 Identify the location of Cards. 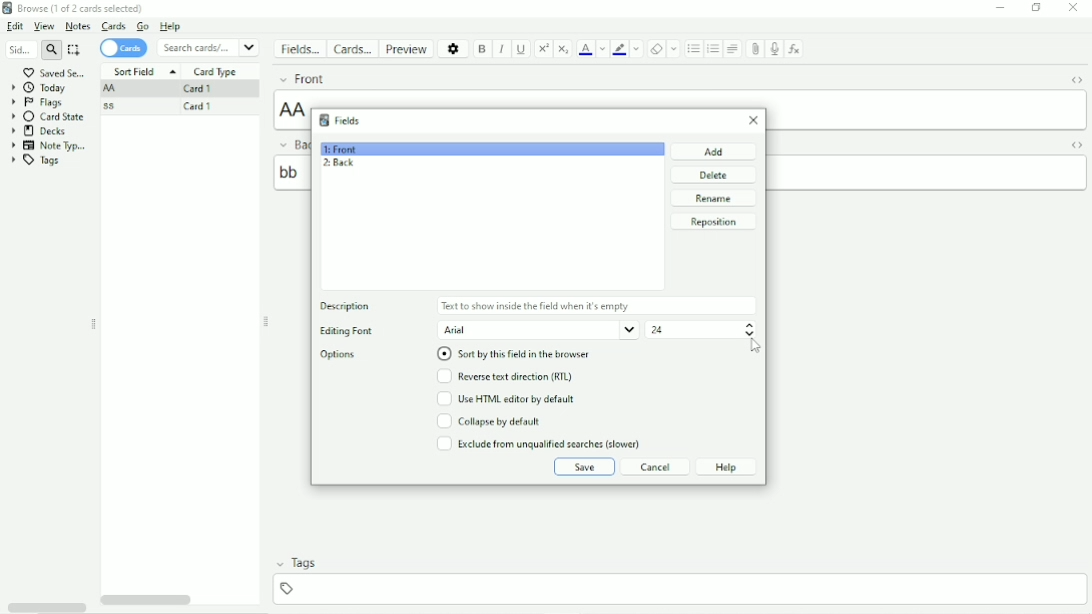
(351, 48).